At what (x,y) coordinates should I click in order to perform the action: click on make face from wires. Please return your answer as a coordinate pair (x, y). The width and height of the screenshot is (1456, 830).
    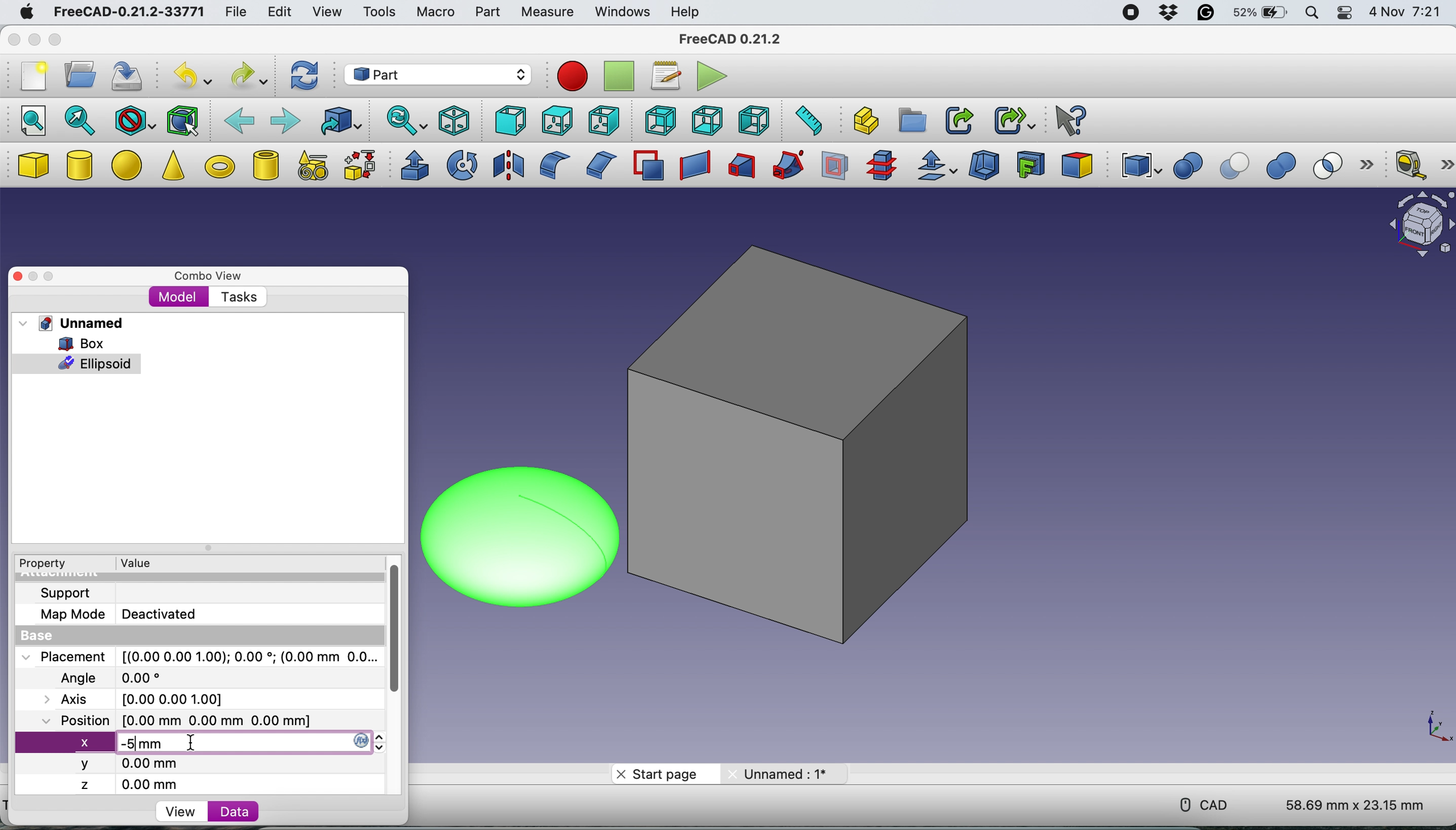
    Looking at the image, I should click on (648, 165).